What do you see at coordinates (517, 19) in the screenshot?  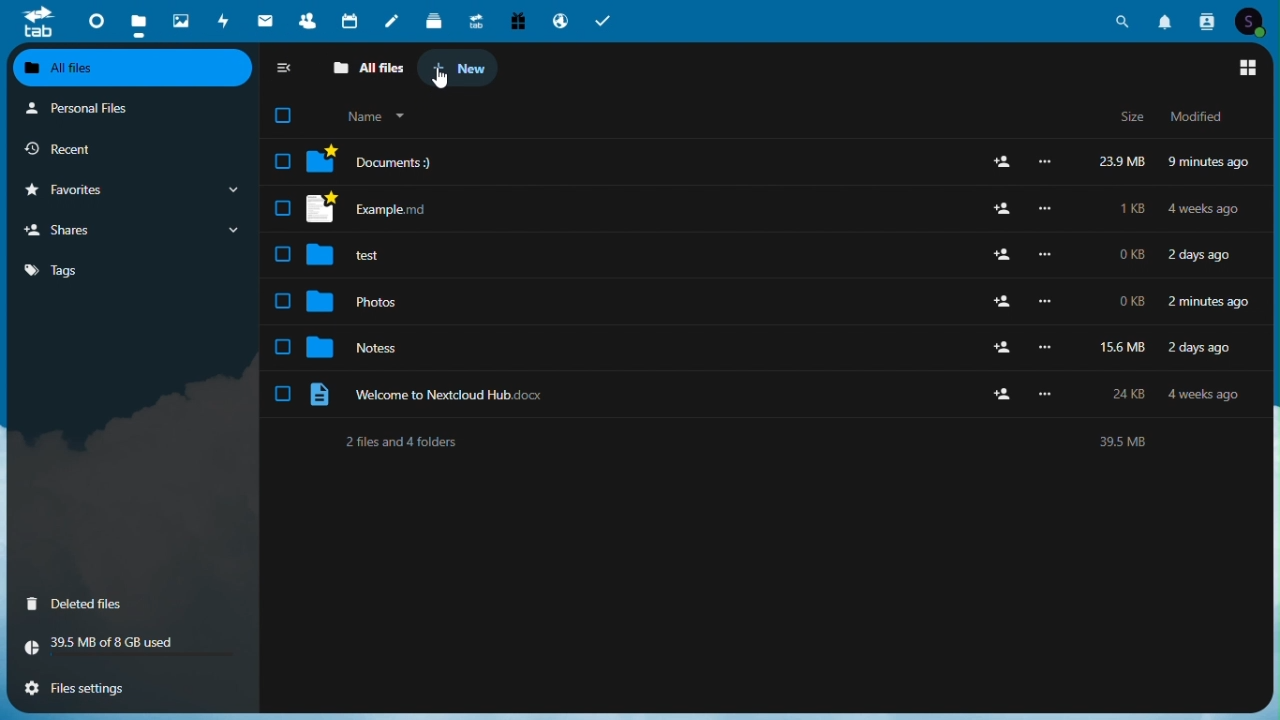 I see `free trail` at bounding box center [517, 19].